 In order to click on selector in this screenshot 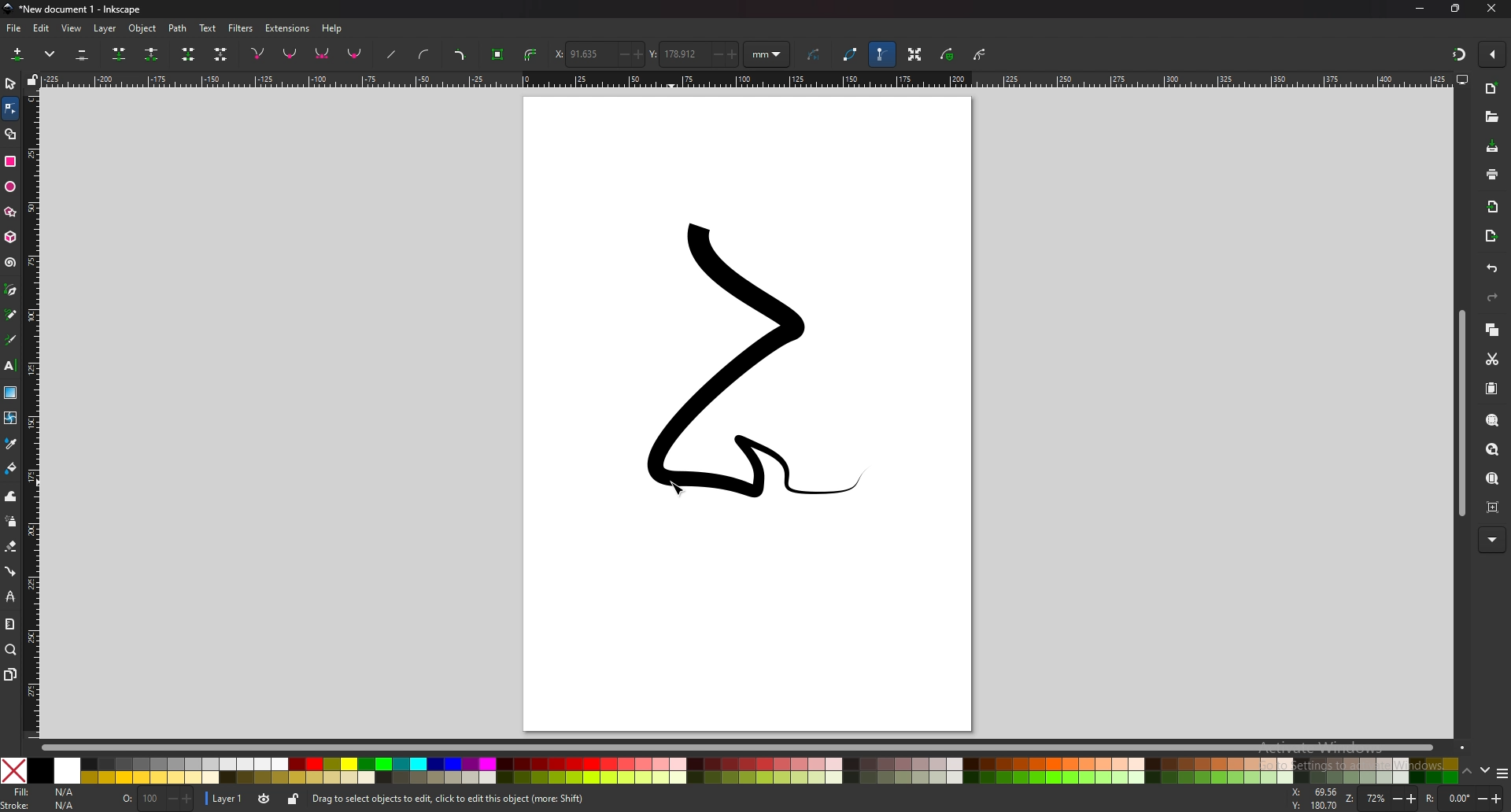, I will do `click(10, 84)`.